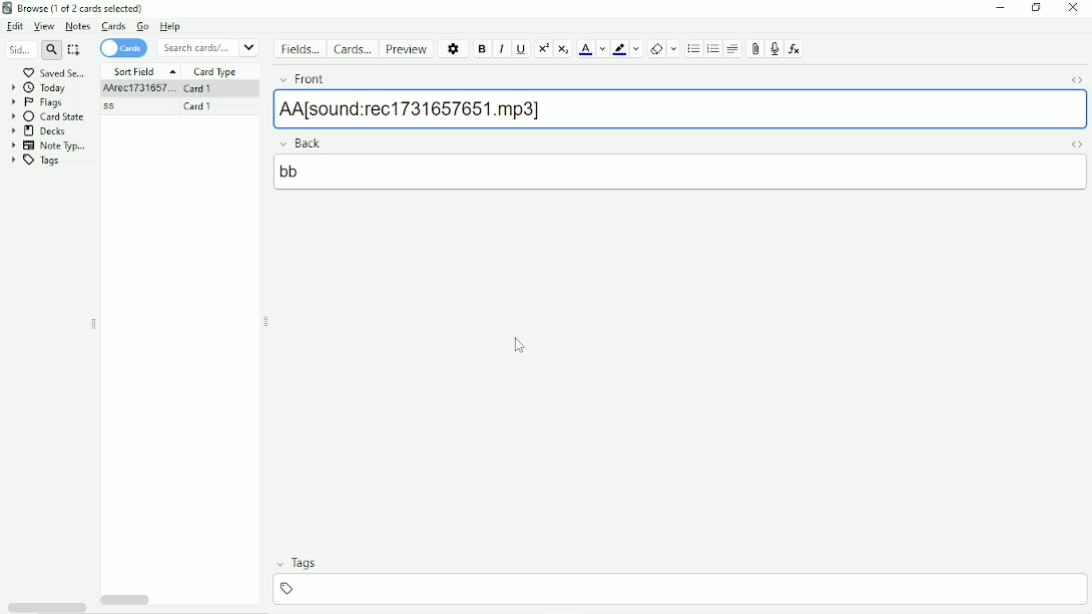  What do you see at coordinates (46, 606) in the screenshot?
I see `Horizontal scrollbar` at bounding box center [46, 606].